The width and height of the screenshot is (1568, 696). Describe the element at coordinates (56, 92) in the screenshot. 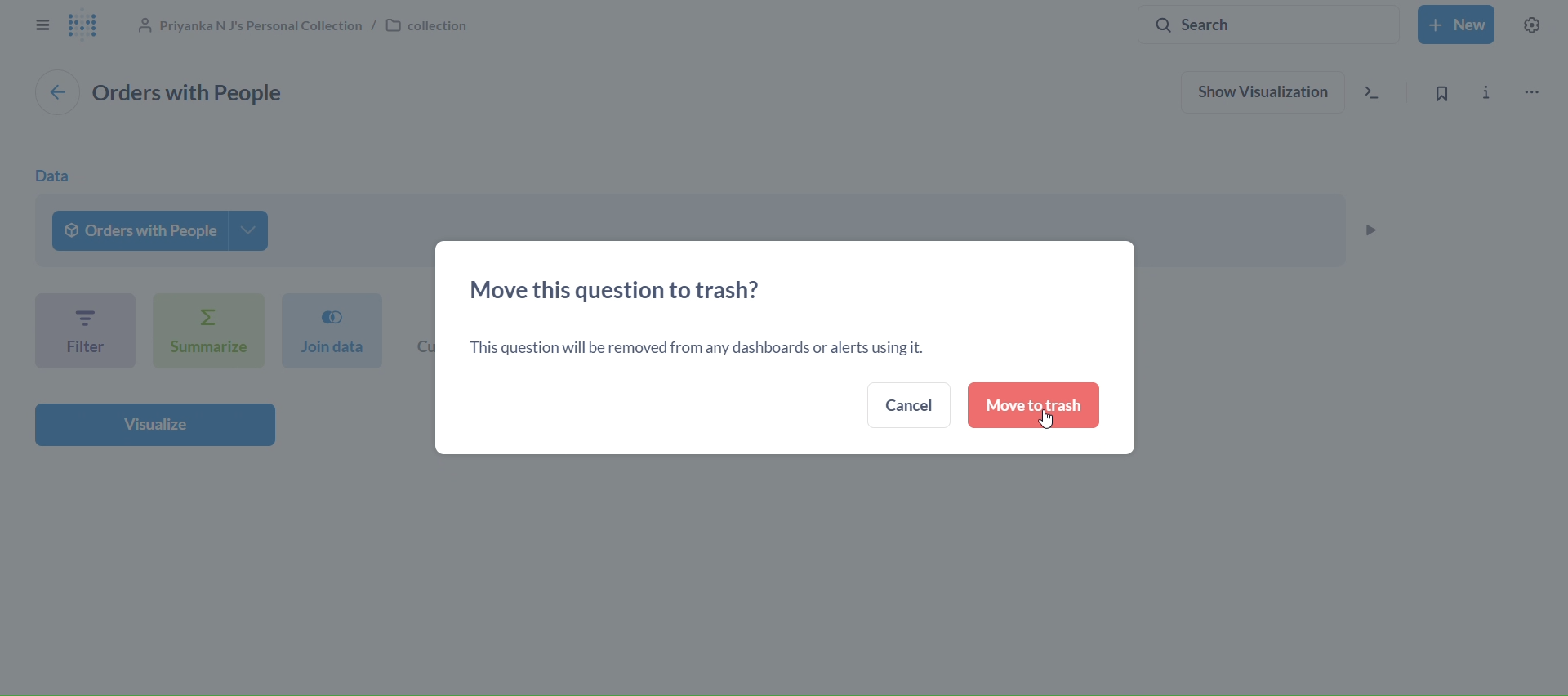

I see `back` at that location.